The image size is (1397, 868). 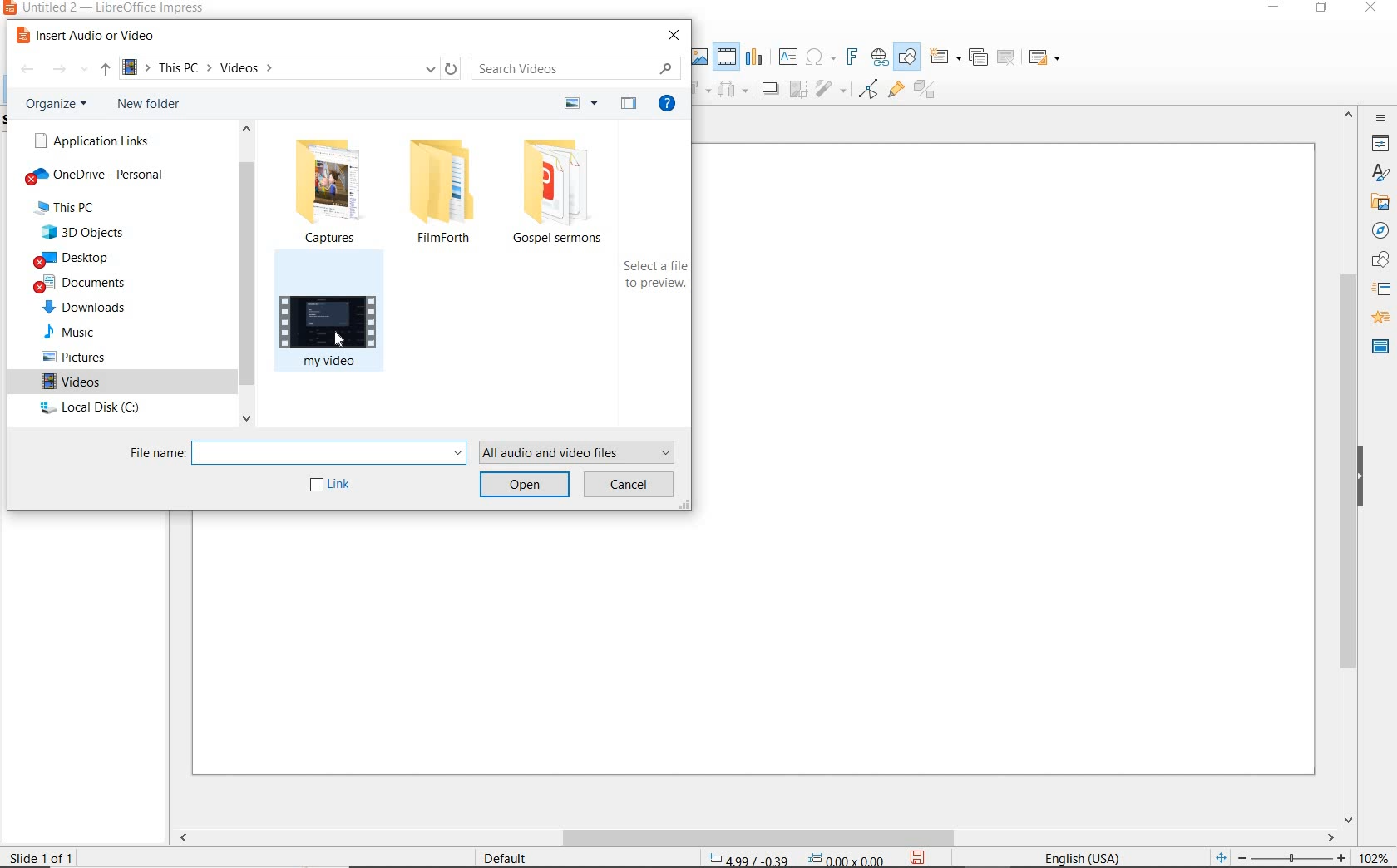 I want to click on SLIDE LAYOUT, so click(x=1044, y=57).